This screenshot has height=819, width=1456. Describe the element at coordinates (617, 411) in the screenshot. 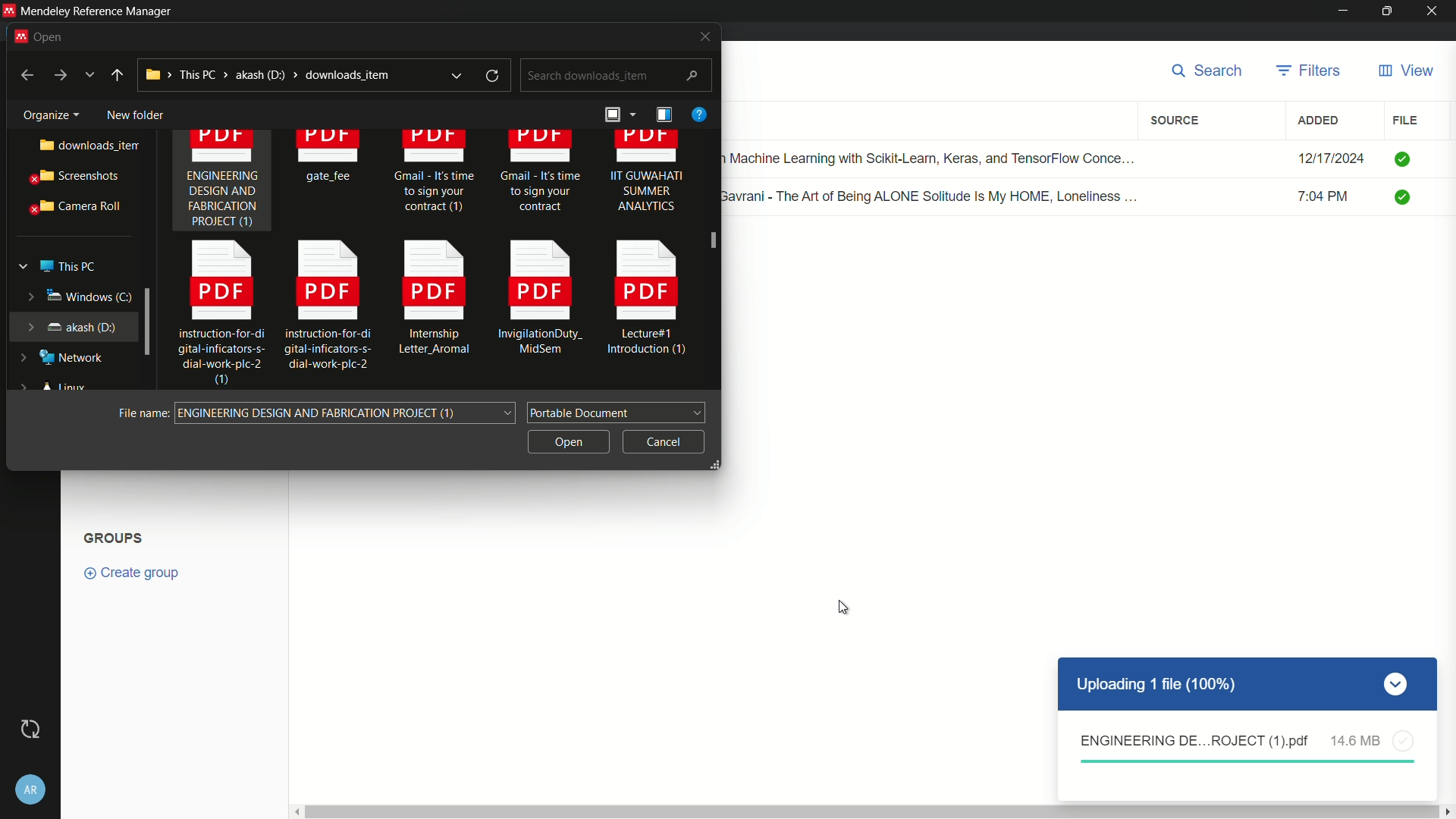

I see `portable document` at that location.